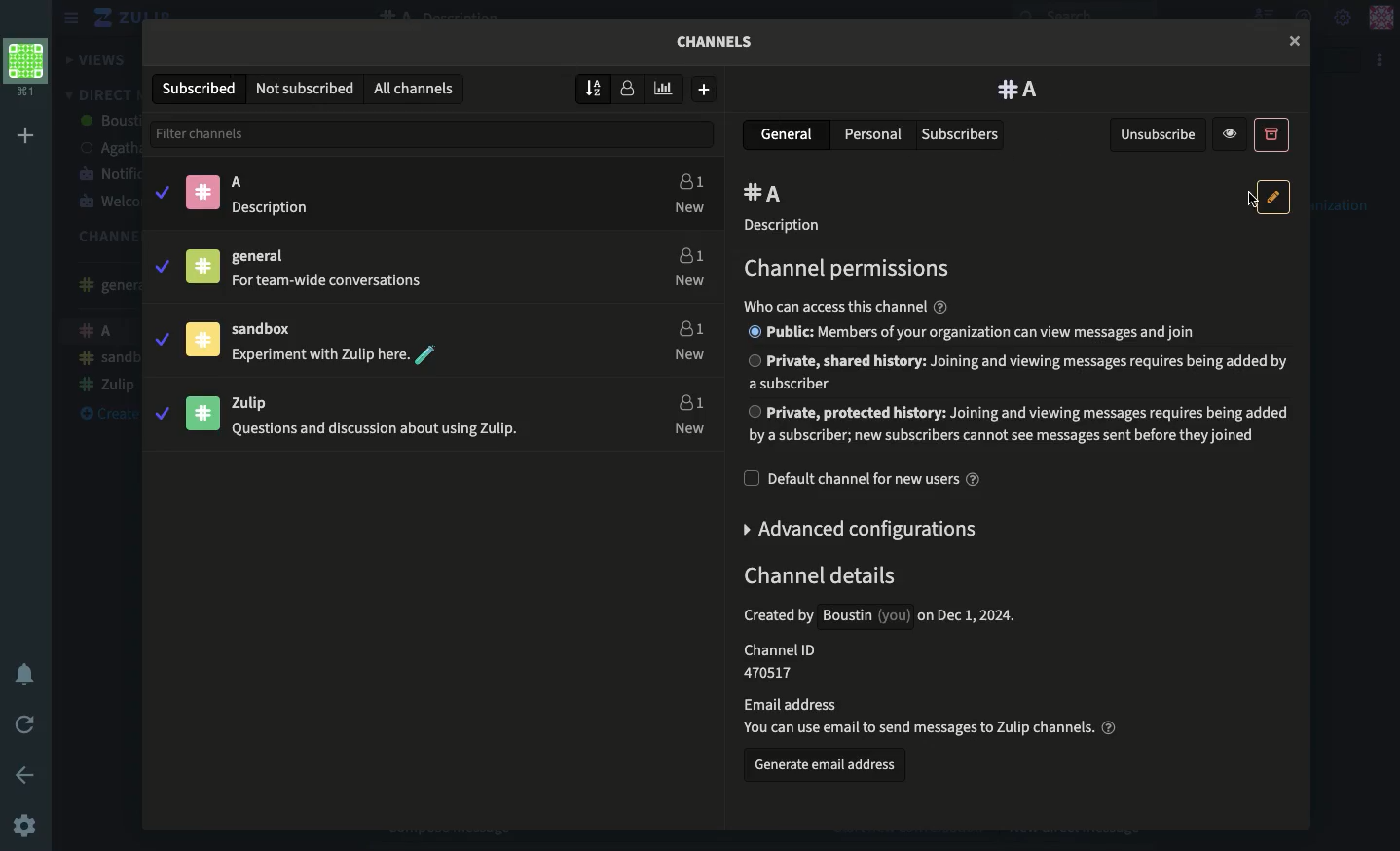 The image size is (1400, 851). Describe the element at coordinates (843, 270) in the screenshot. I see `Channel permissions` at that location.